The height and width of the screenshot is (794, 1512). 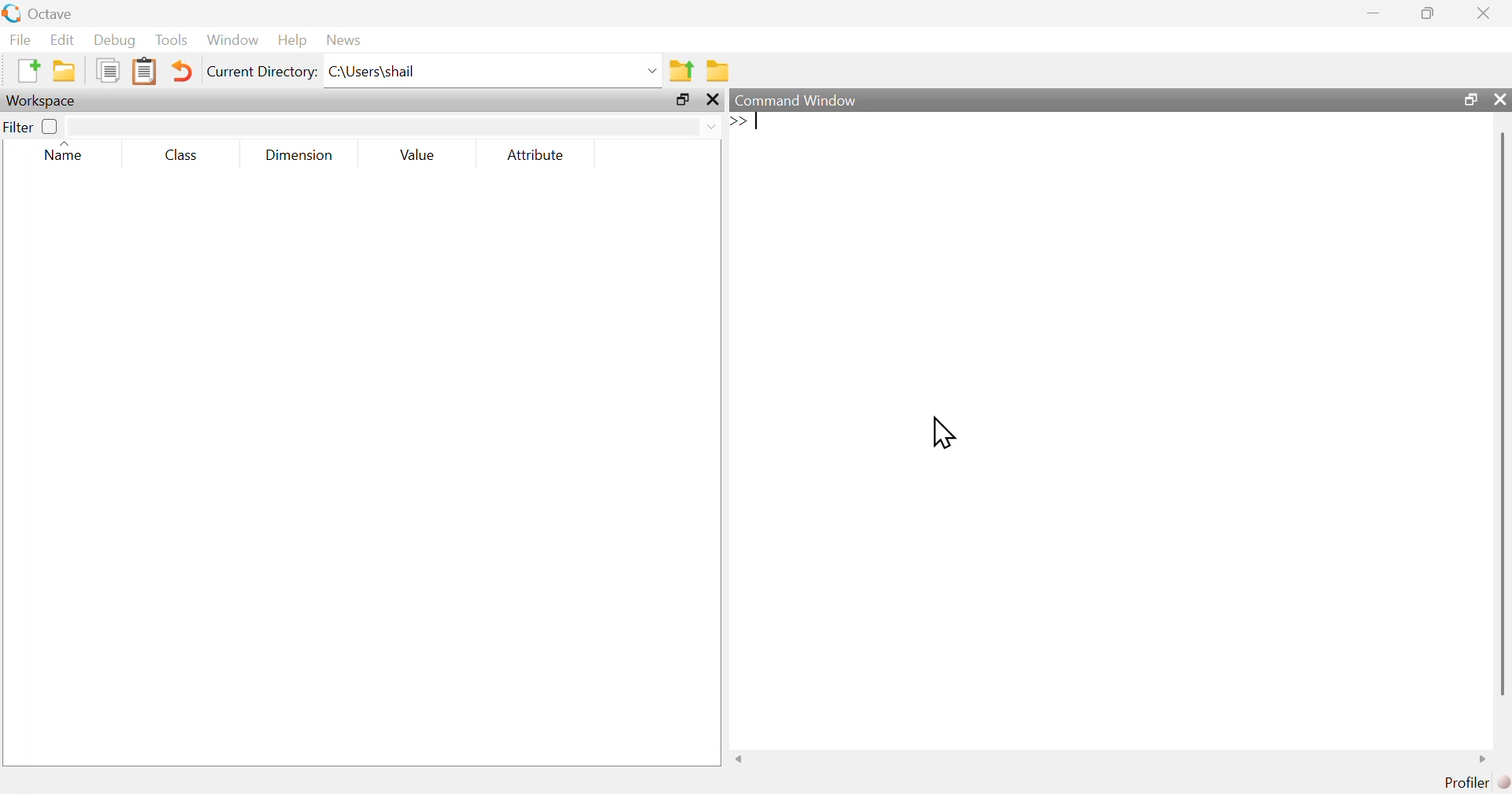 I want to click on cursor, so click(x=943, y=432).